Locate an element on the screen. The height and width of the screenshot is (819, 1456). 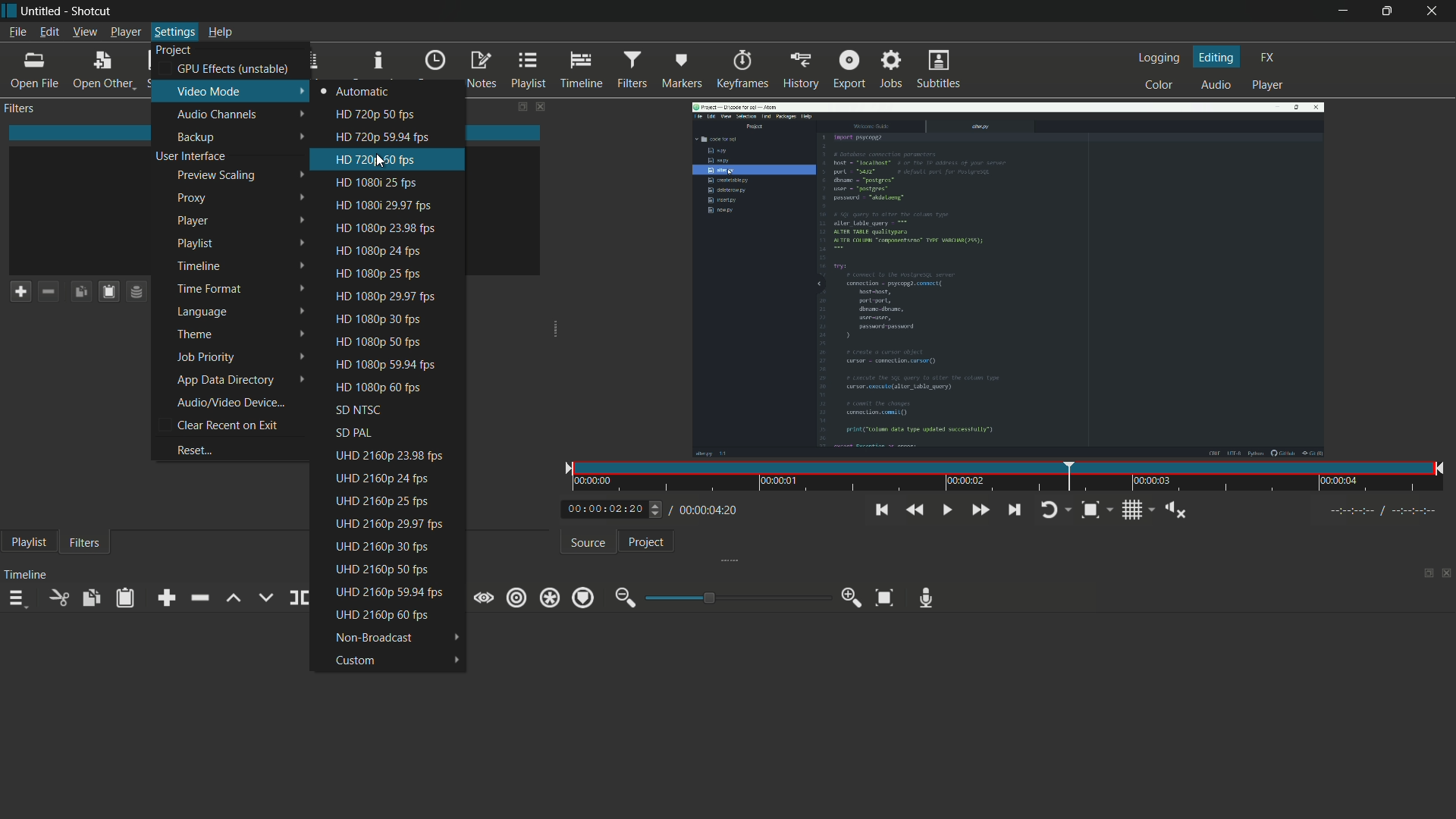
playlist is located at coordinates (529, 70).